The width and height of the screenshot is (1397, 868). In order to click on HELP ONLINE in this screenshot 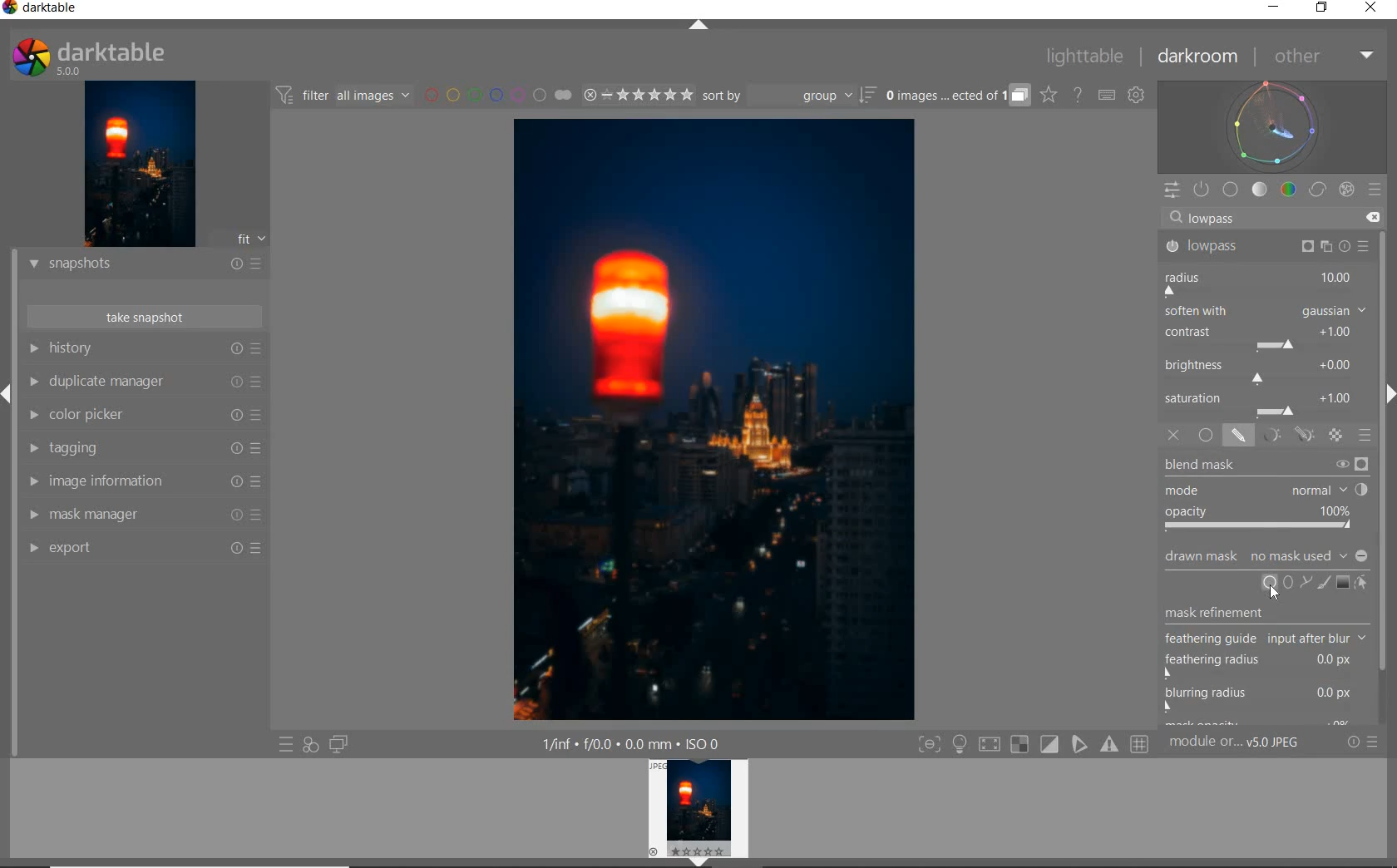, I will do `click(1077, 94)`.